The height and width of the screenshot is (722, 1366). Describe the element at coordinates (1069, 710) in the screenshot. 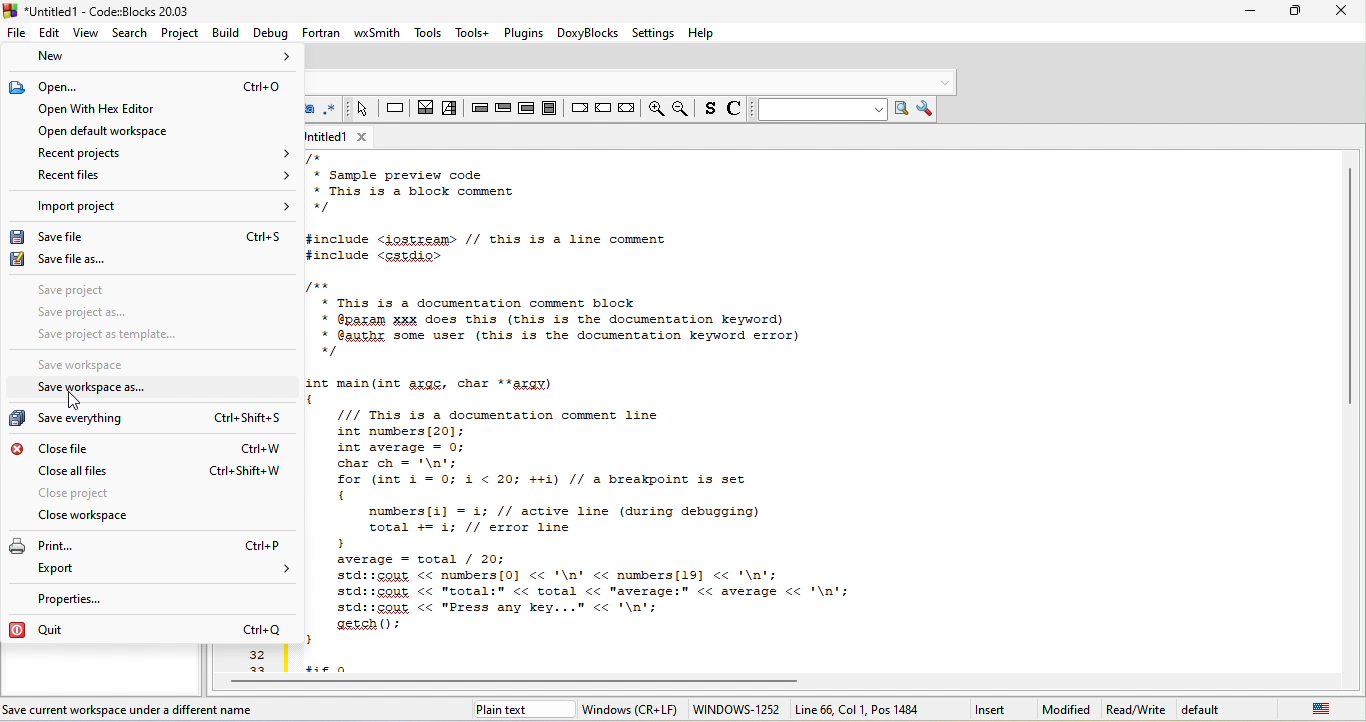

I see `modified` at that location.